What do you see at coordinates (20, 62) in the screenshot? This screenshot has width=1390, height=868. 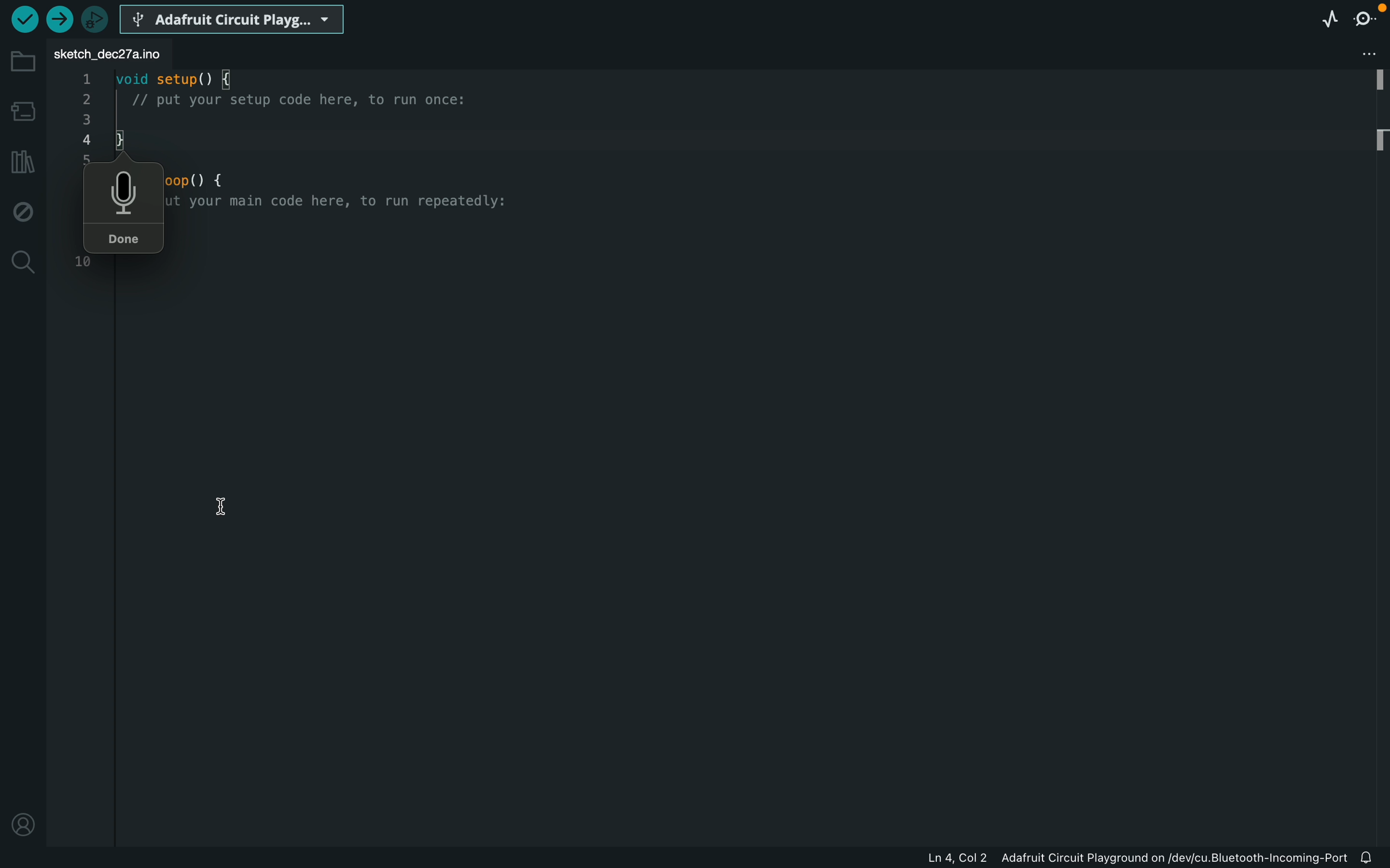 I see `folder` at bounding box center [20, 62].